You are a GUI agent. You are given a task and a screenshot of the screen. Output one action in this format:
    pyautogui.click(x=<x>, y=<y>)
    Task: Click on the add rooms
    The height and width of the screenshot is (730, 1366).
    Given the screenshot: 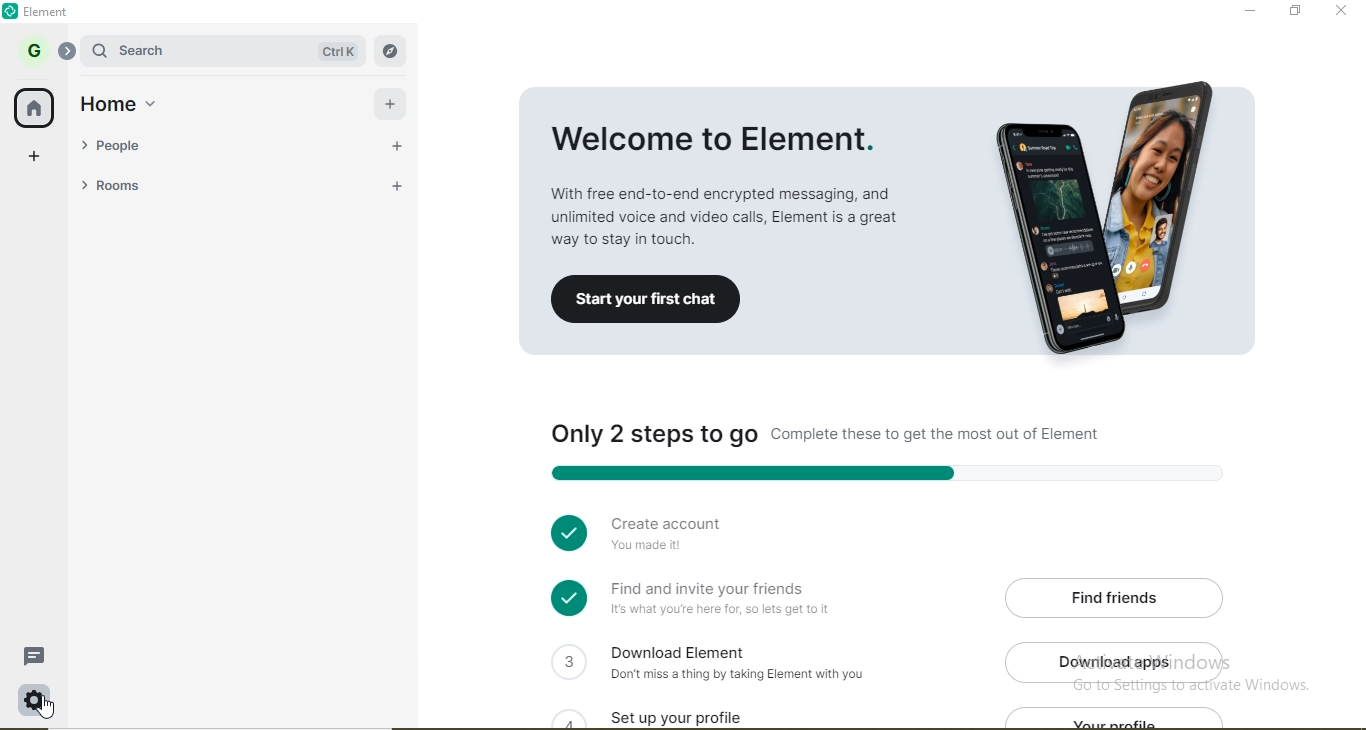 What is the action you would take?
    pyautogui.click(x=391, y=185)
    